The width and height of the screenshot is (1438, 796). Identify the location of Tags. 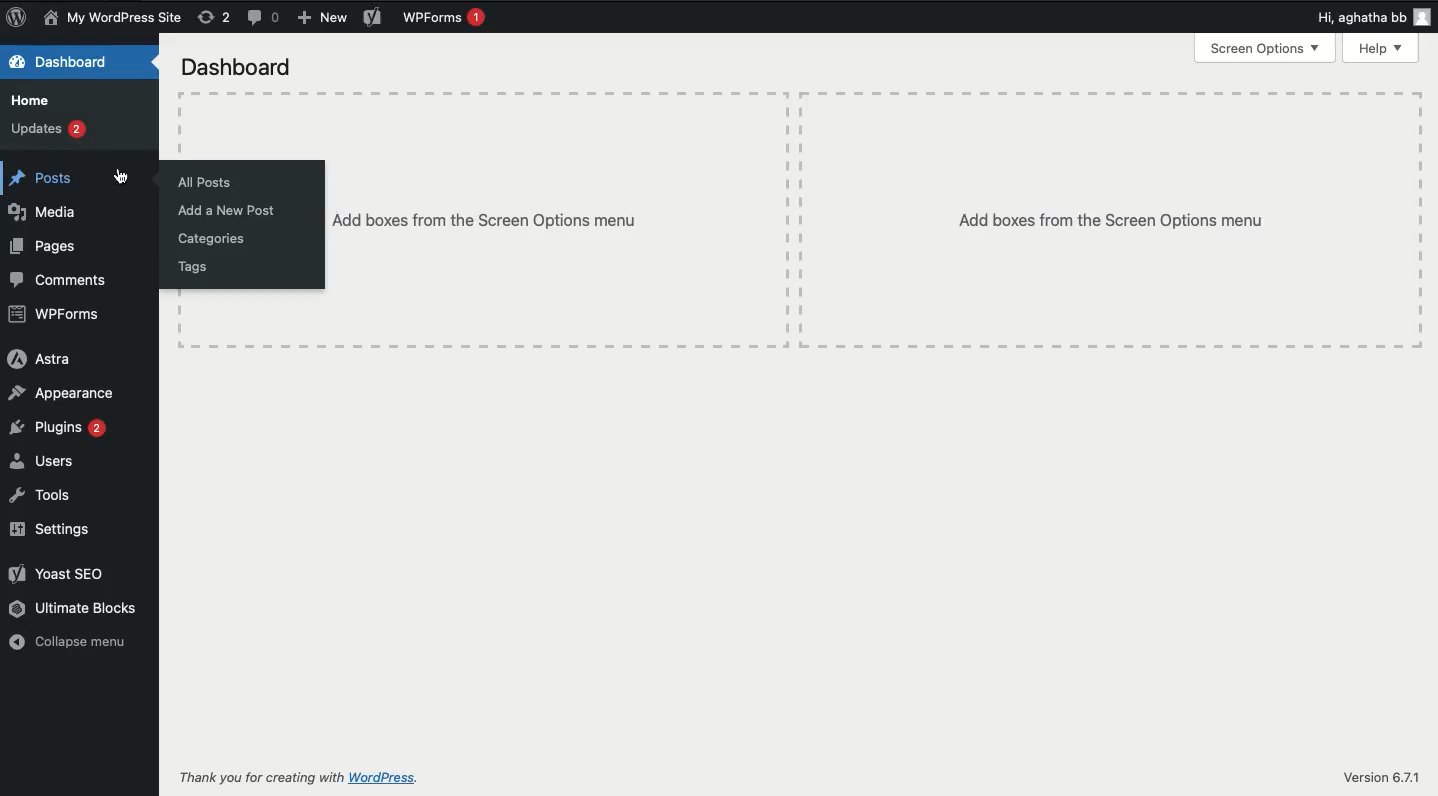
(197, 267).